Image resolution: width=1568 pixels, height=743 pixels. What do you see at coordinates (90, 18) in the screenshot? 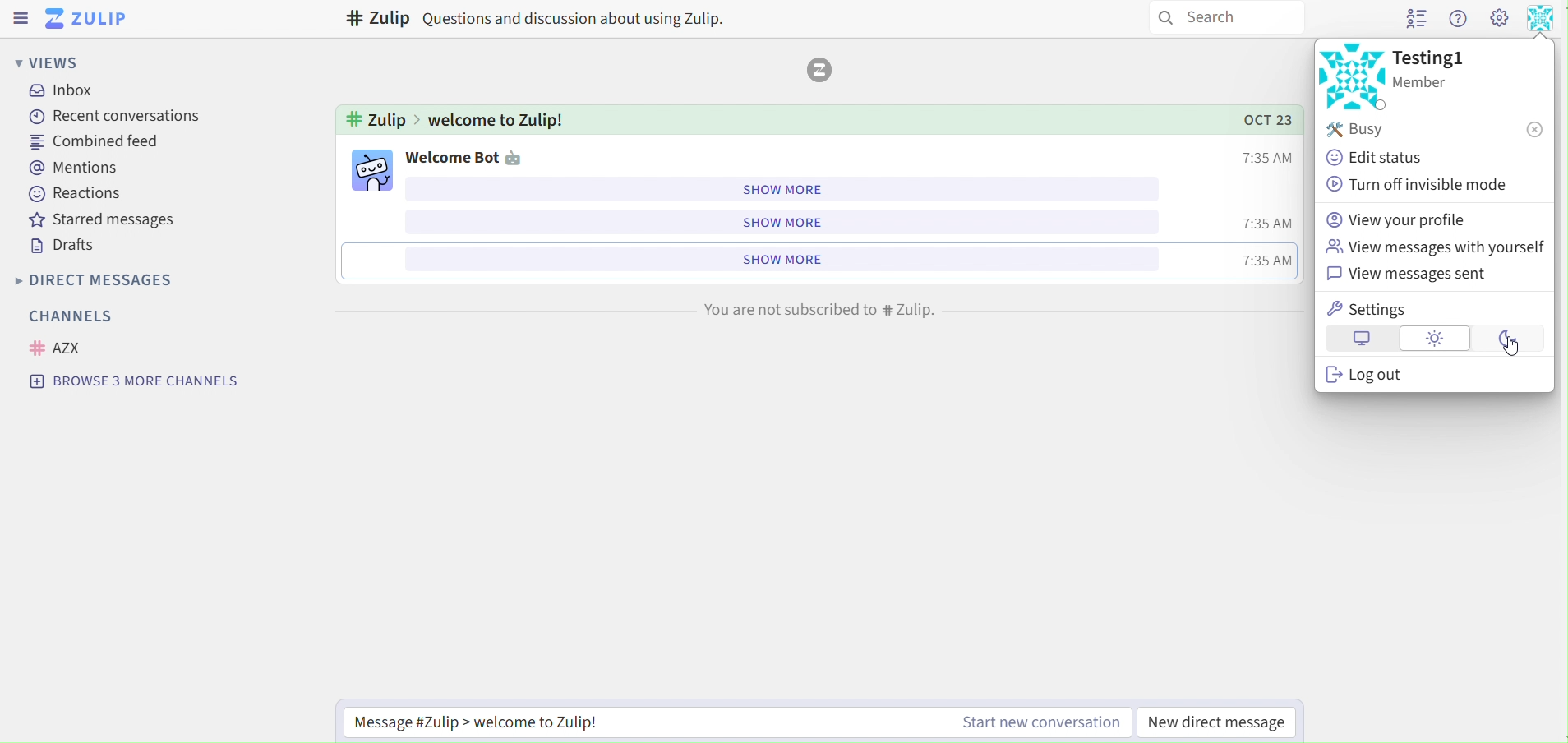
I see `zulip` at bounding box center [90, 18].